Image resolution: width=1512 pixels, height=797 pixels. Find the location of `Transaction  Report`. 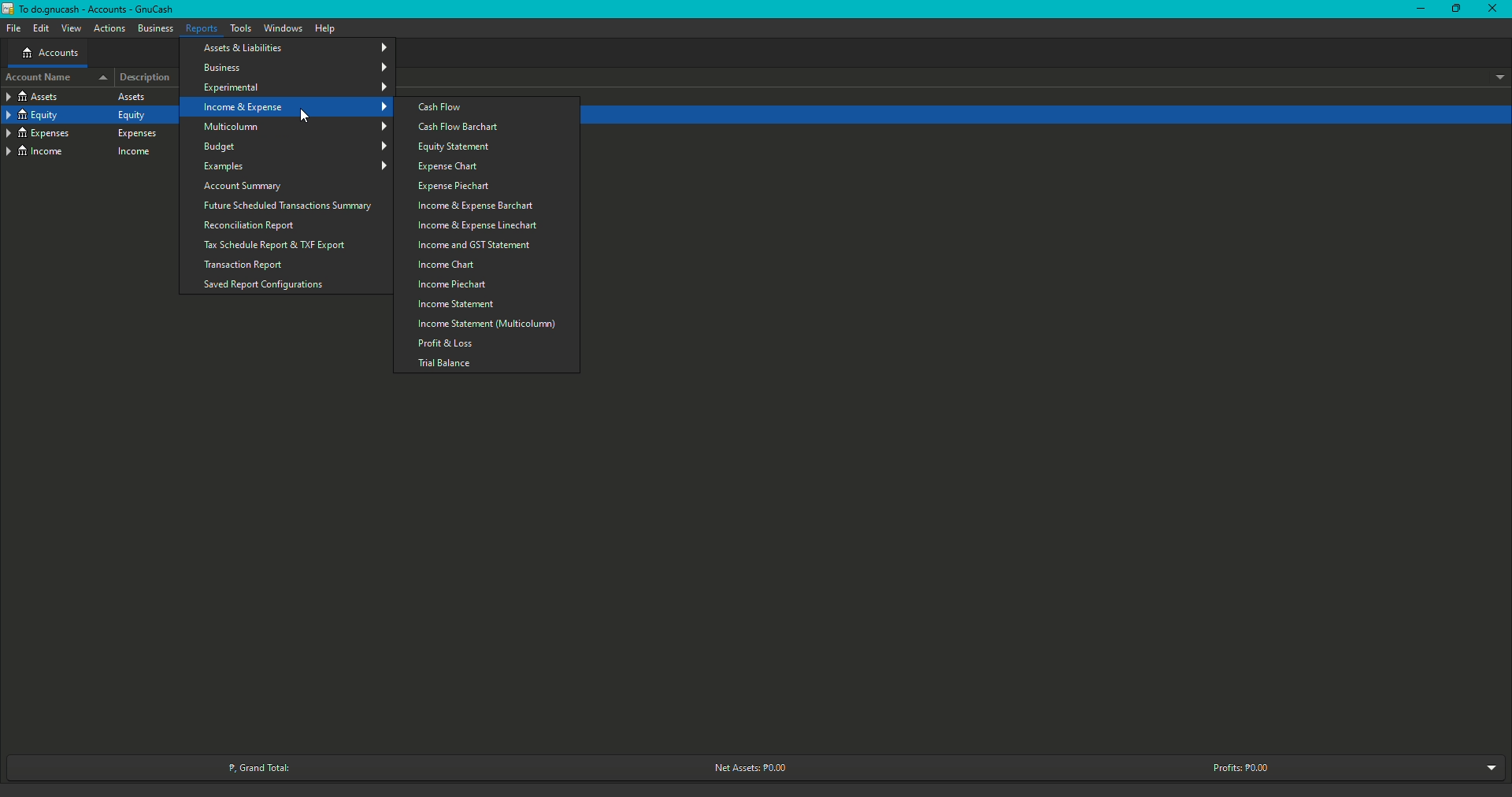

Transaction  Report is located at coordinates (243, 266).